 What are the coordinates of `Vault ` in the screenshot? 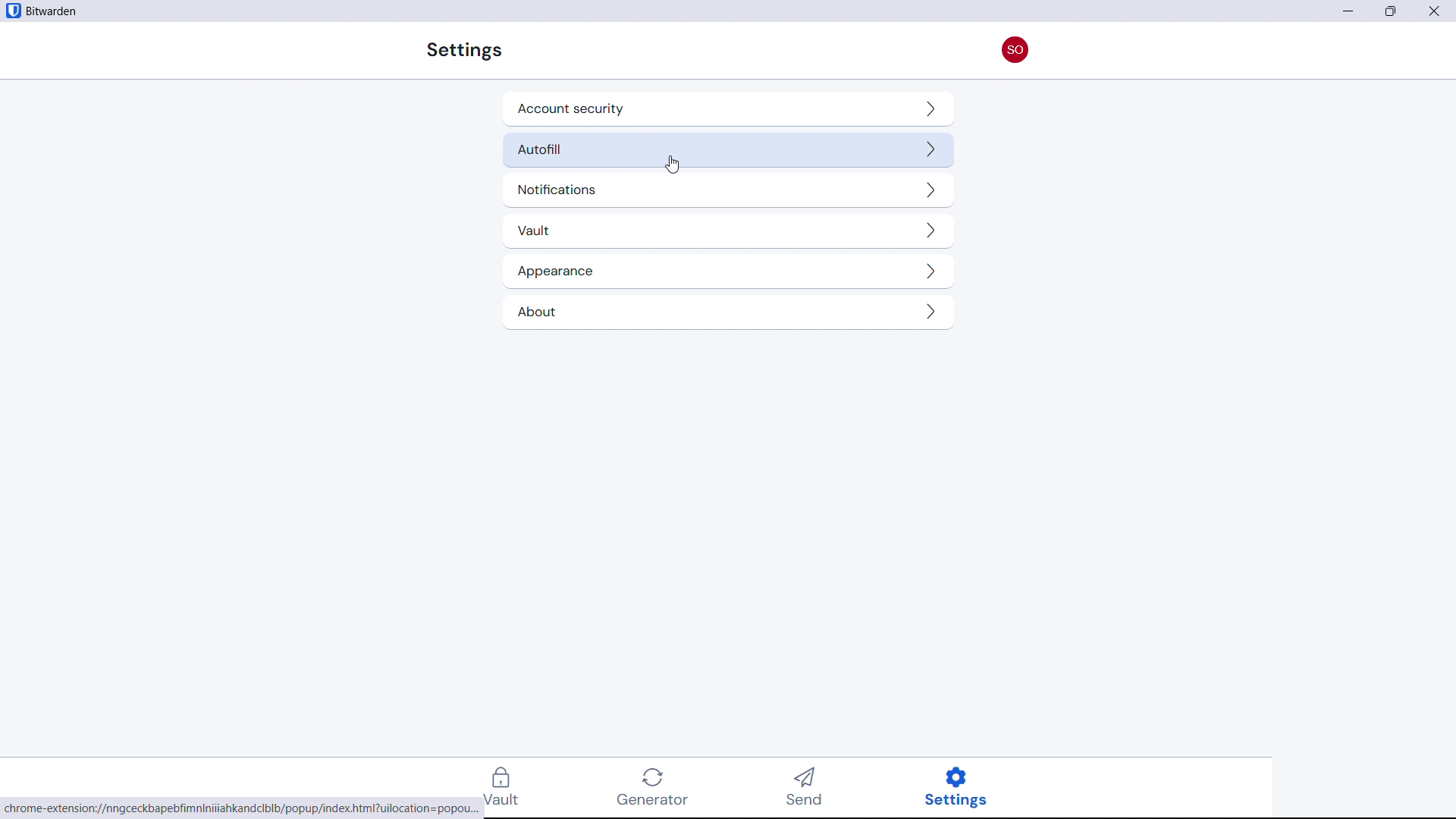 It's located at (510, 787).